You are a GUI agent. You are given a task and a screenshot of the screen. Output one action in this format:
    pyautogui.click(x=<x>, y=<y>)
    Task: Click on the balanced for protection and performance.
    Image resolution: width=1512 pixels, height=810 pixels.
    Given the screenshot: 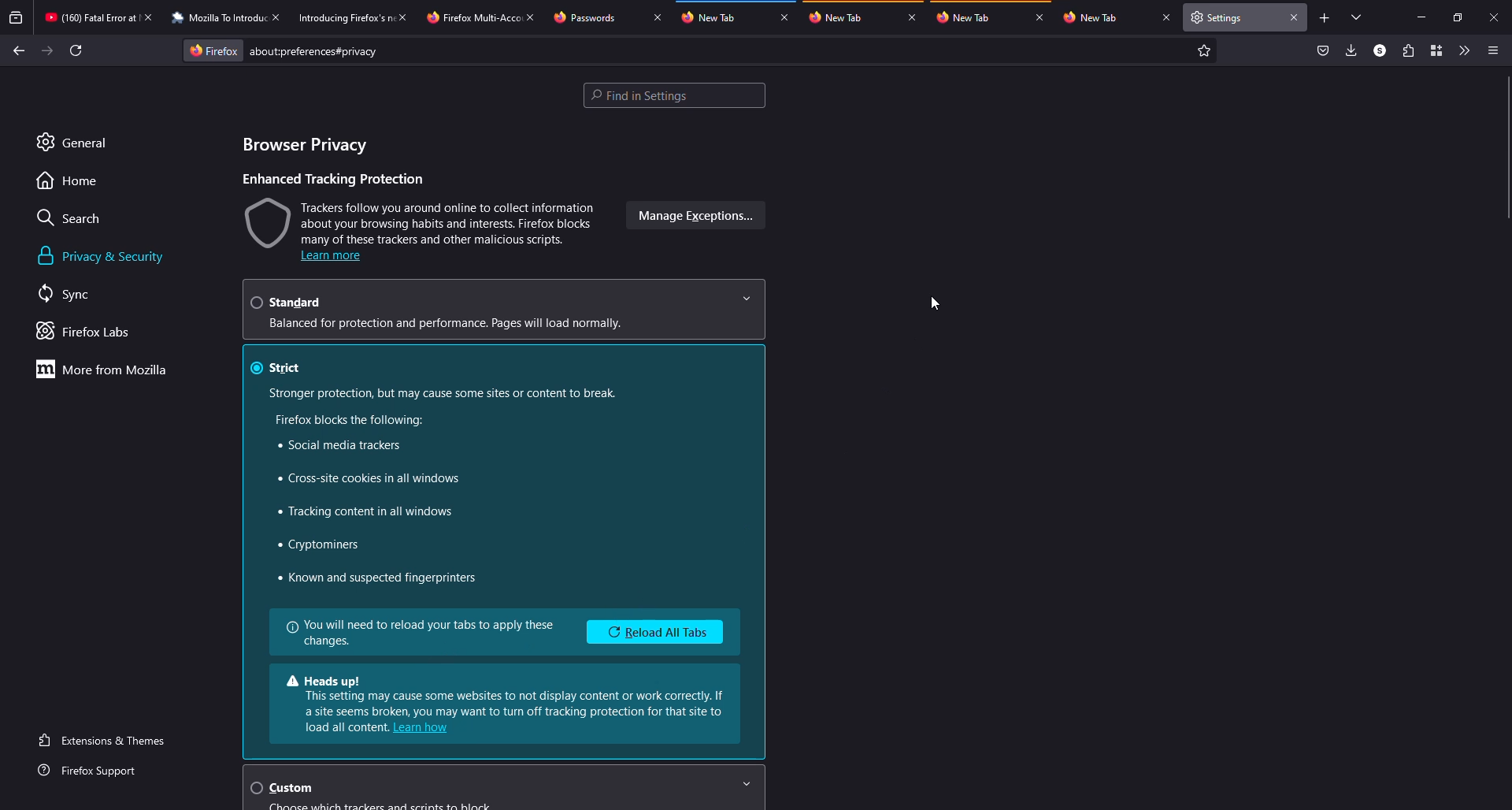 What is the action you would take?
    pyautogui.click(x=449, y=324)
    